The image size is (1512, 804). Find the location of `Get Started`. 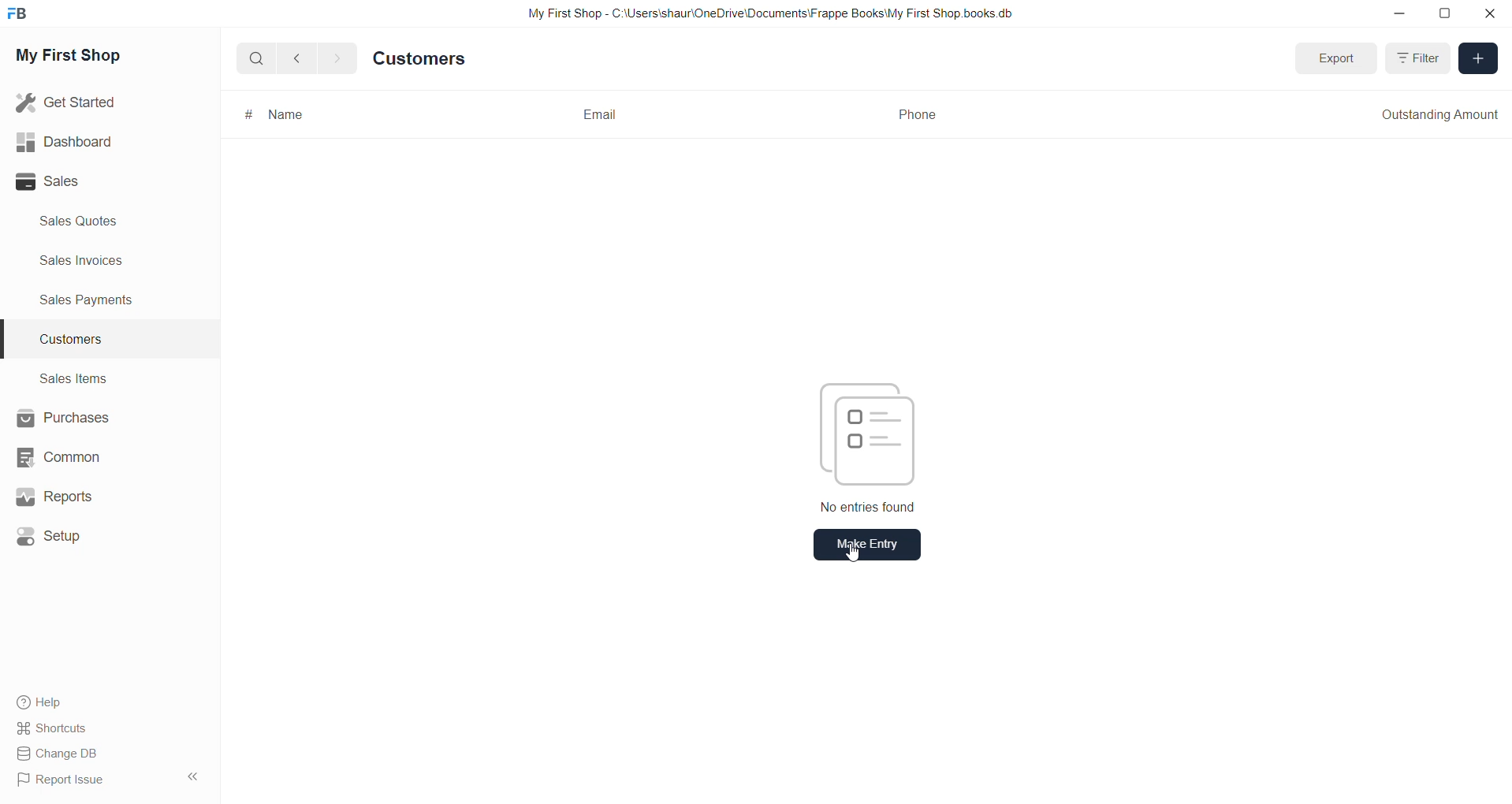

Get Started is located at coordinates (69, 102).